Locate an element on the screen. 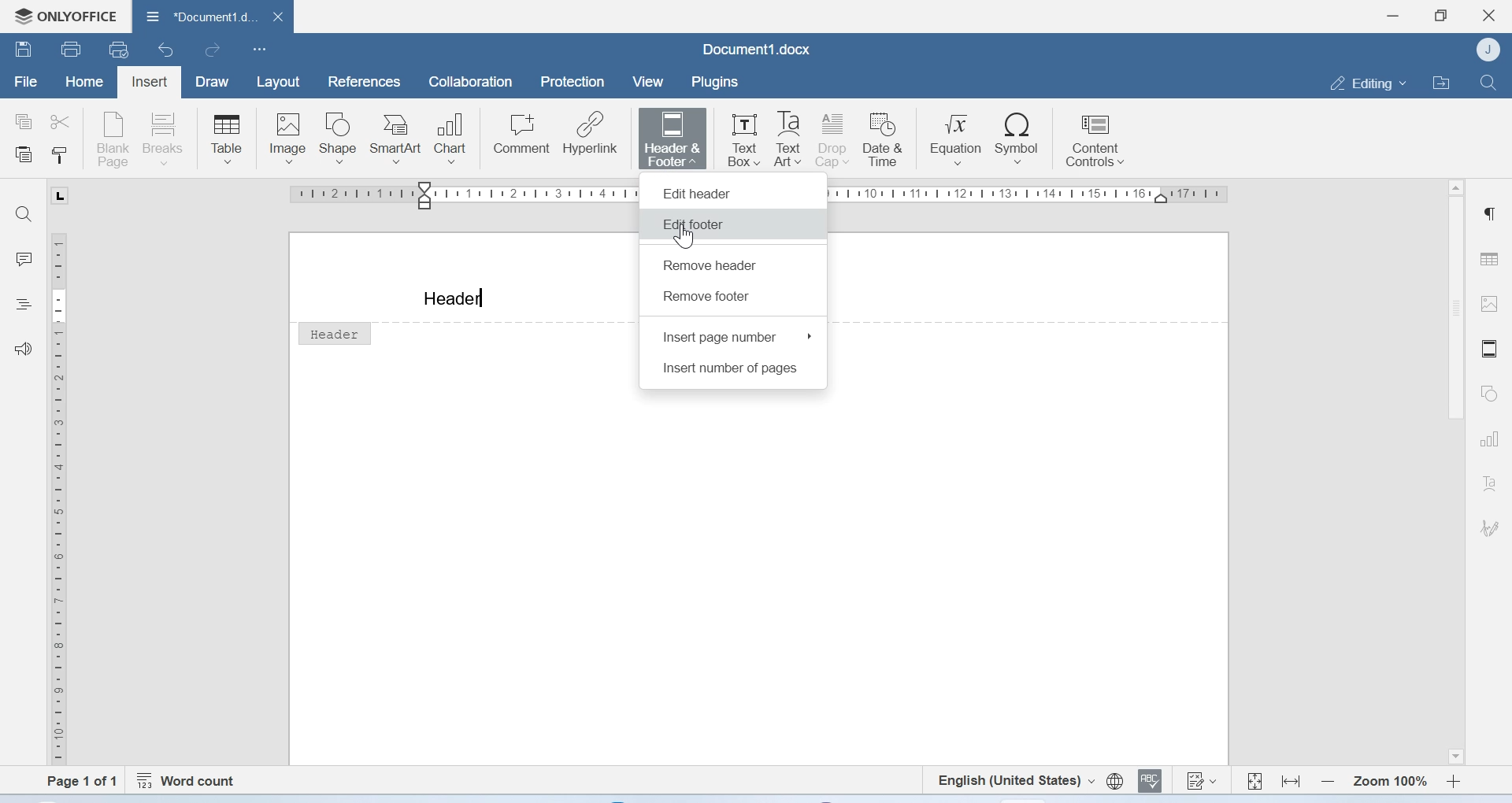 The width and height of the screenshot is (1512, 803). Header & Footer is located at coordinates (674, 137).